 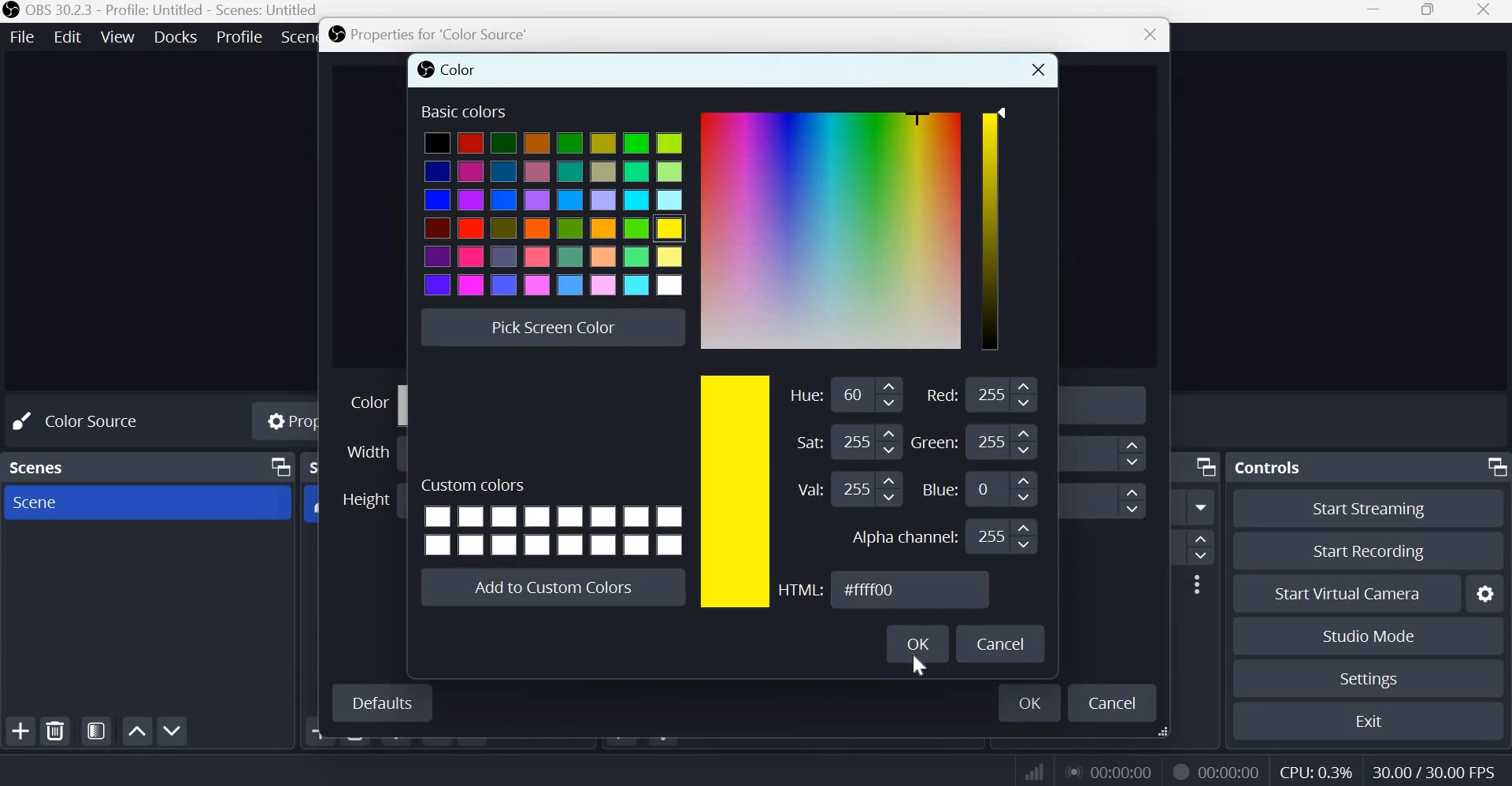 I want to click on Open scene filters, so click(x=96, y=732).